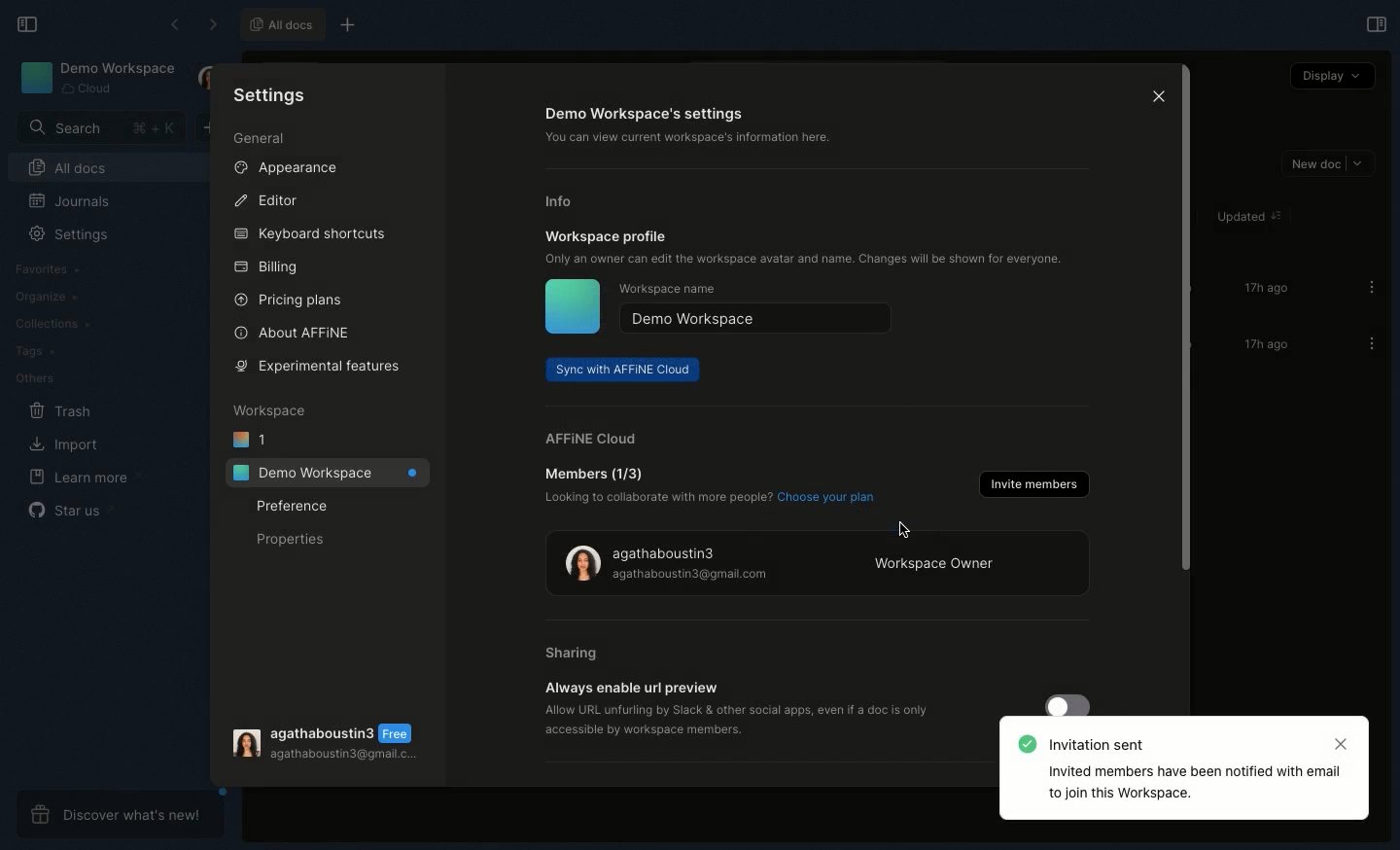 The width and height of the screenshot is (1400, 850). Describe the element at coordinates (738, 709) in the screenshot. I see `‘Allow URL unfurling by Slack & other social apps, even if a doc is only` at that location.